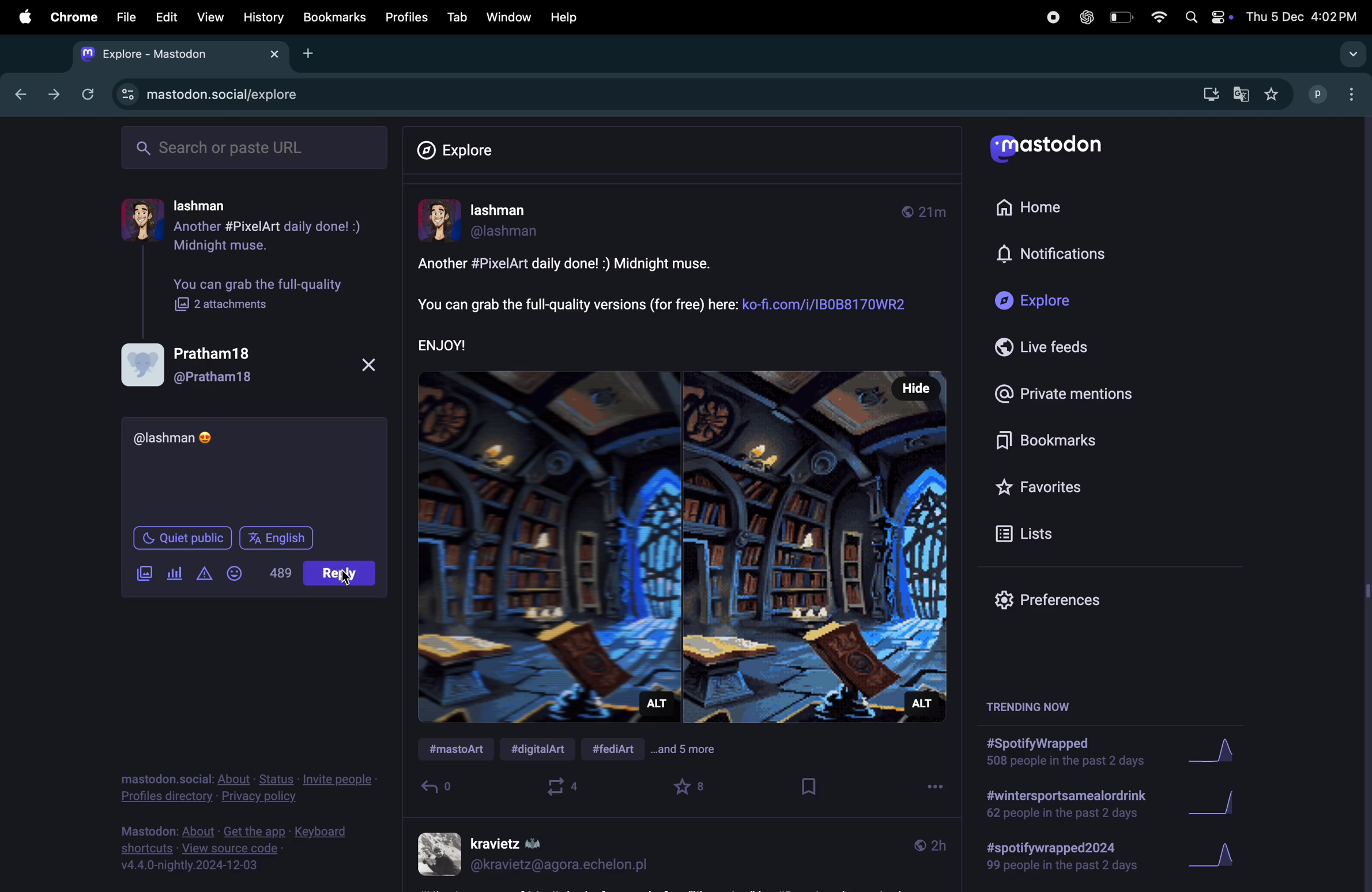 The image size is (1372, 892). What do you see at coordinates (515, 222) in the screenshot?
I see `userprofile` at bounding box center [515, 222].